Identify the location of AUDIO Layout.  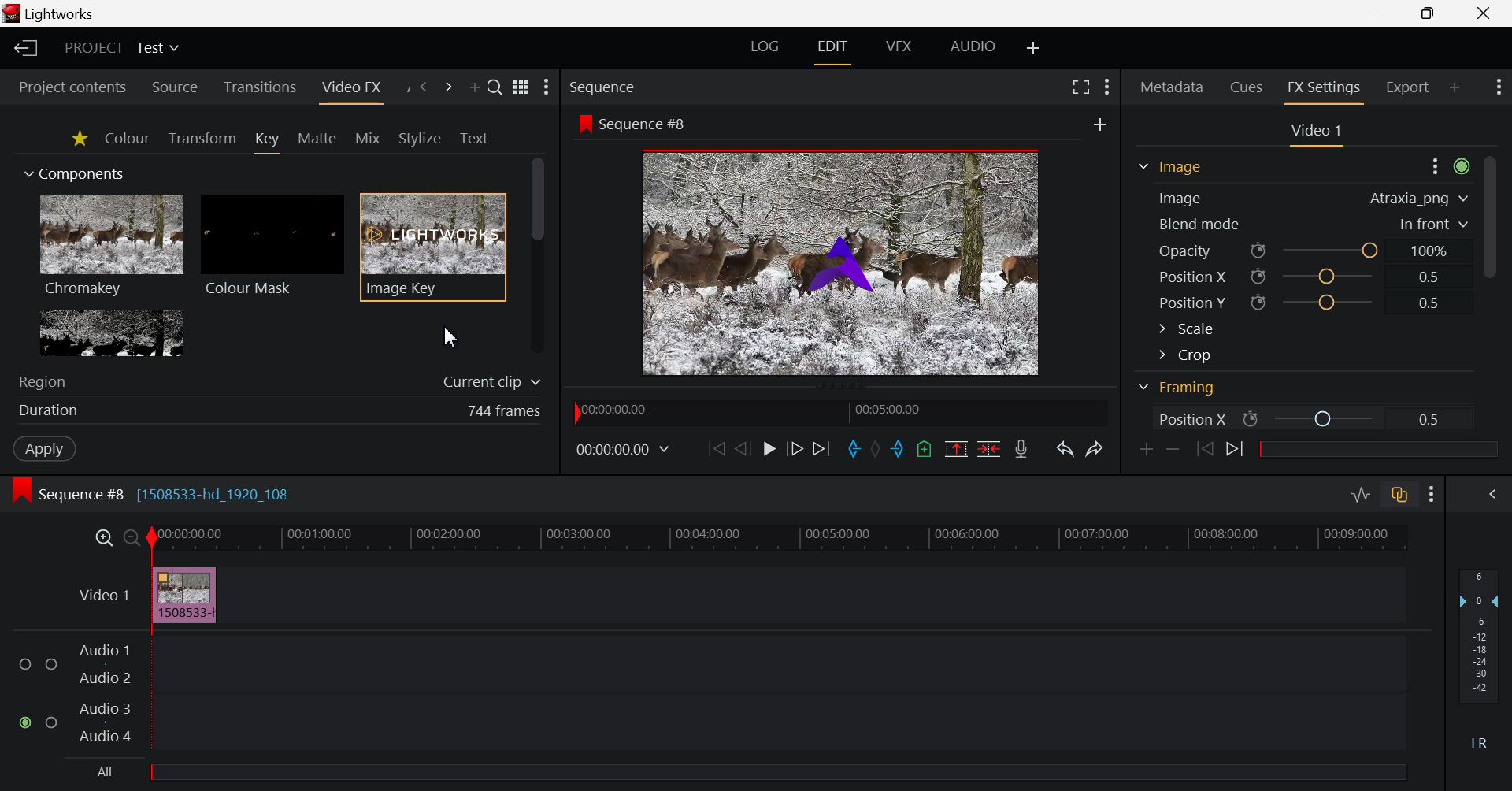
(973, 45).